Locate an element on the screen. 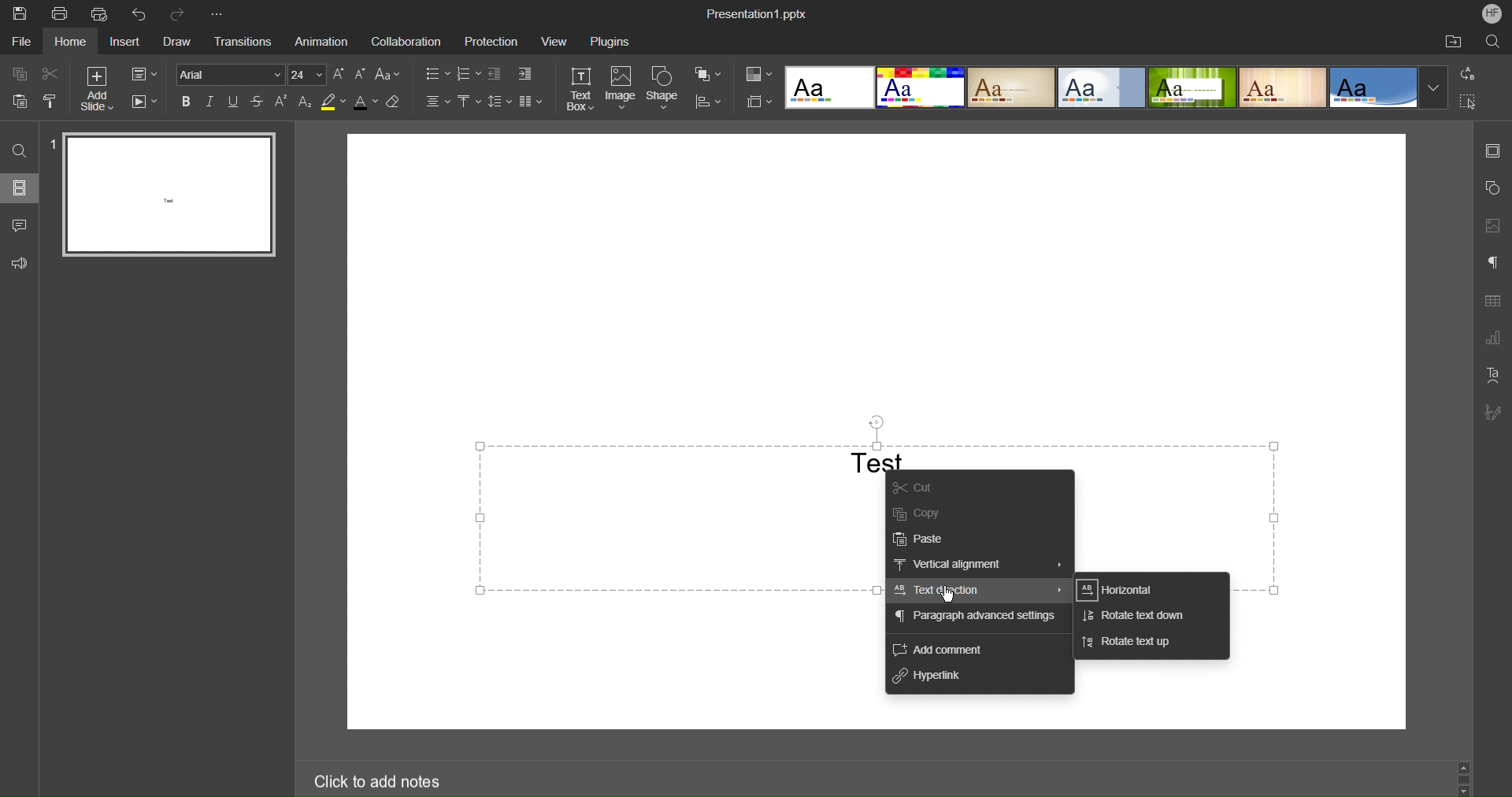 The width and height of the screenshot is (1512, 797). Align is located at coordinates (708, 102).